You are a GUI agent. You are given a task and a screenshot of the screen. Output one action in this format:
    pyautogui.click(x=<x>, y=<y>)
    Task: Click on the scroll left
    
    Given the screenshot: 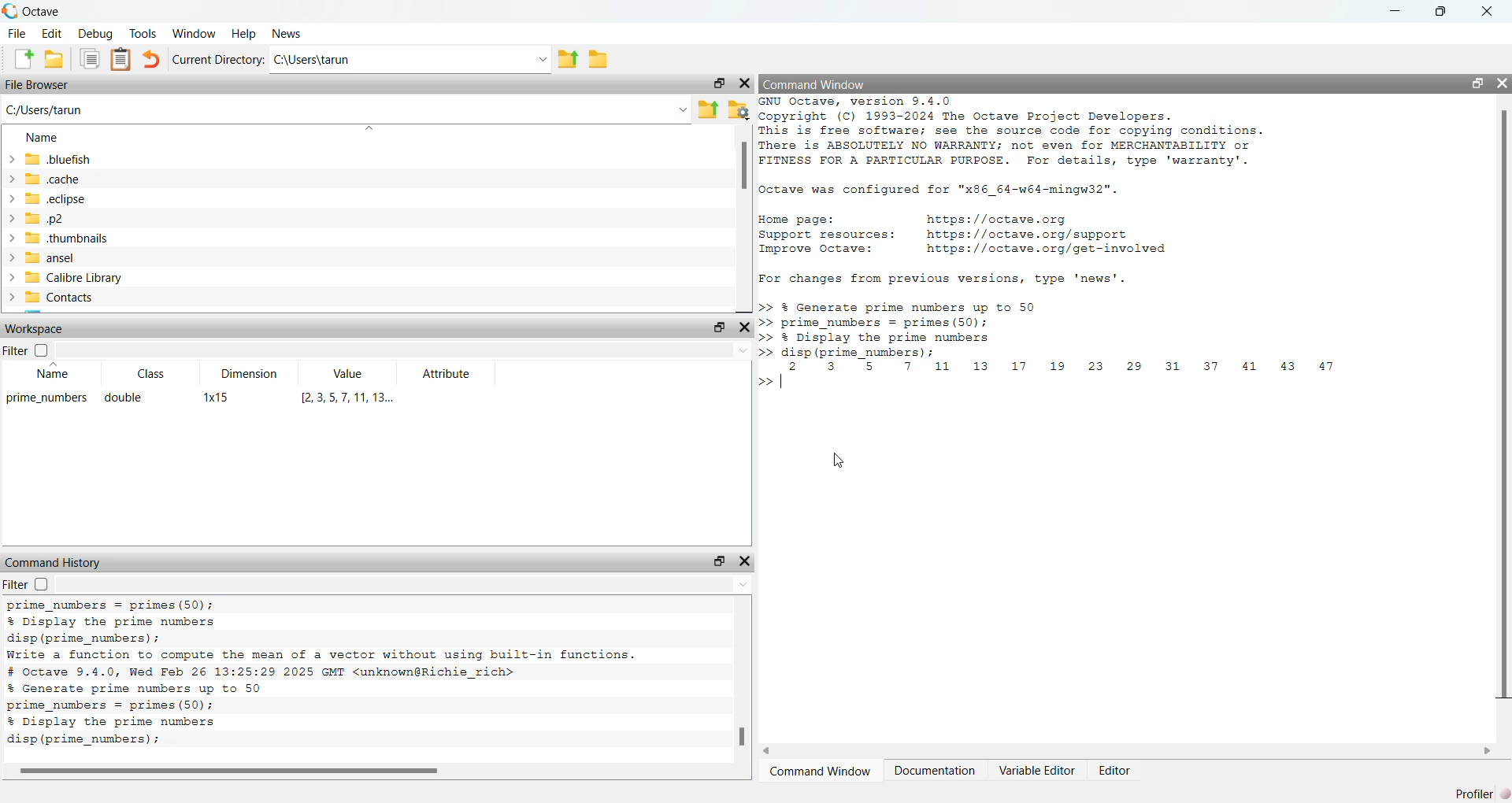 What is the action you would take?
    pyautogui.click(x=769, y=752)
    